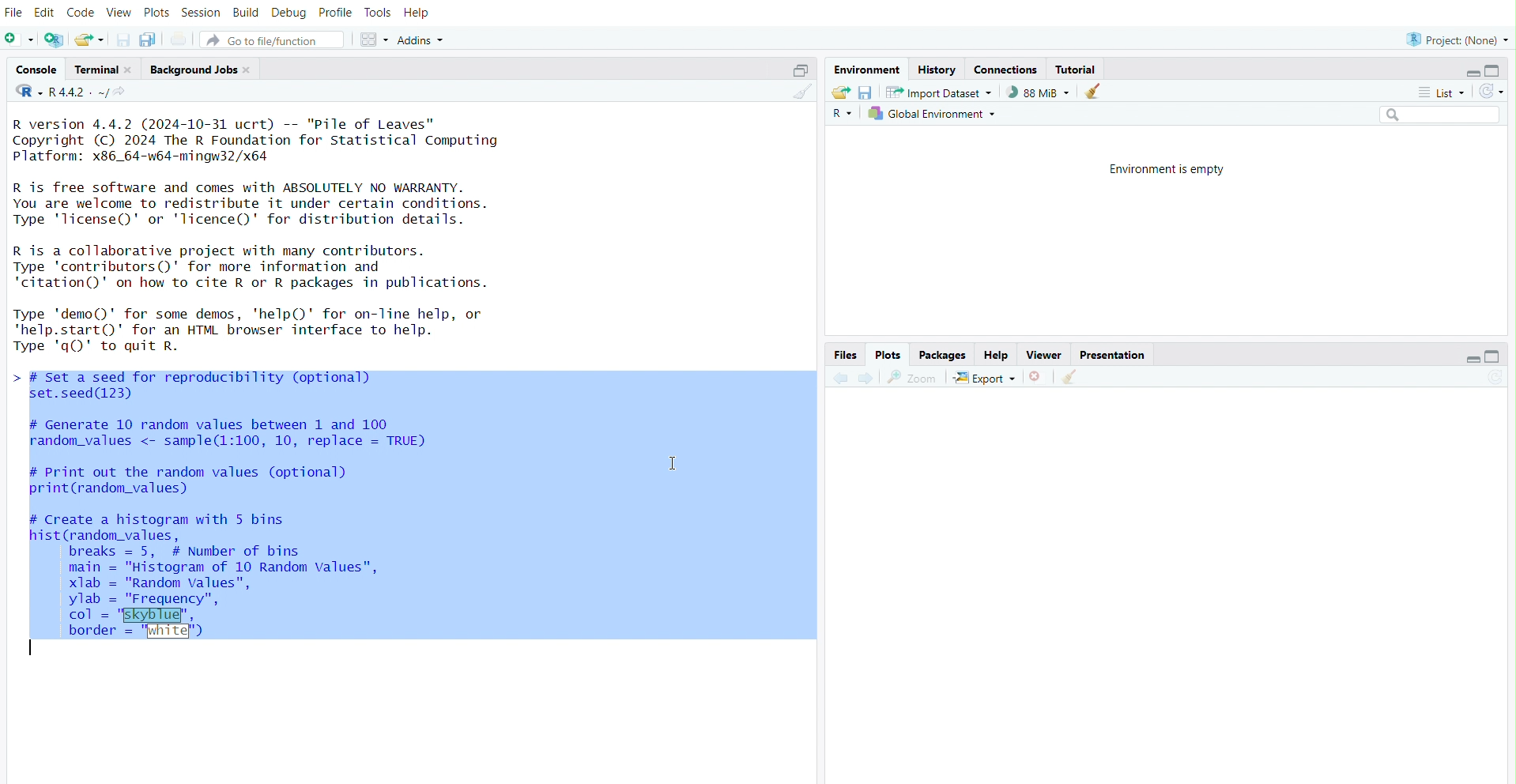  I want to click on presentation, so click(1117, 353).